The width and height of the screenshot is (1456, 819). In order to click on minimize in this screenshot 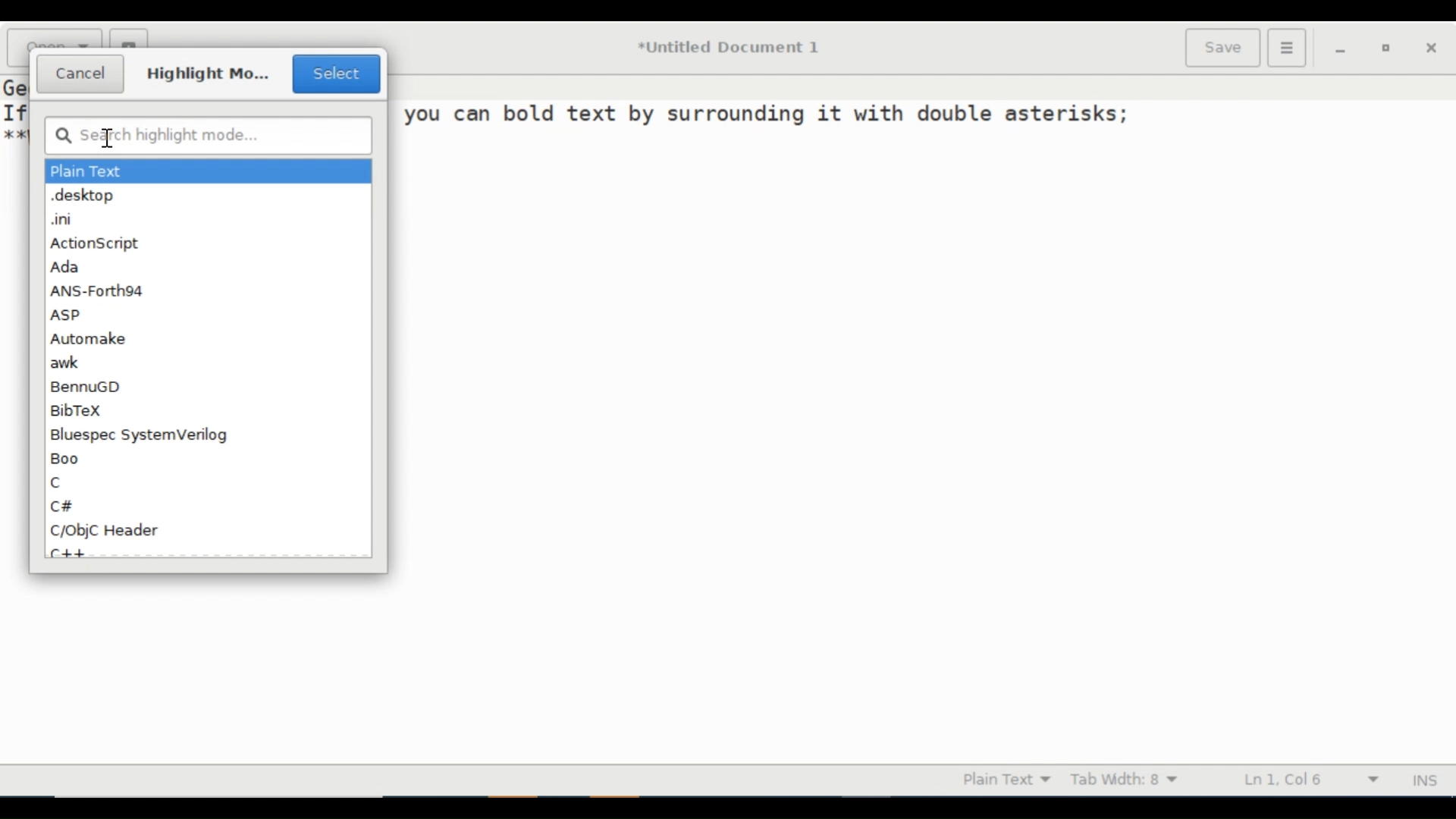, I will do `click(1345, 48)`.